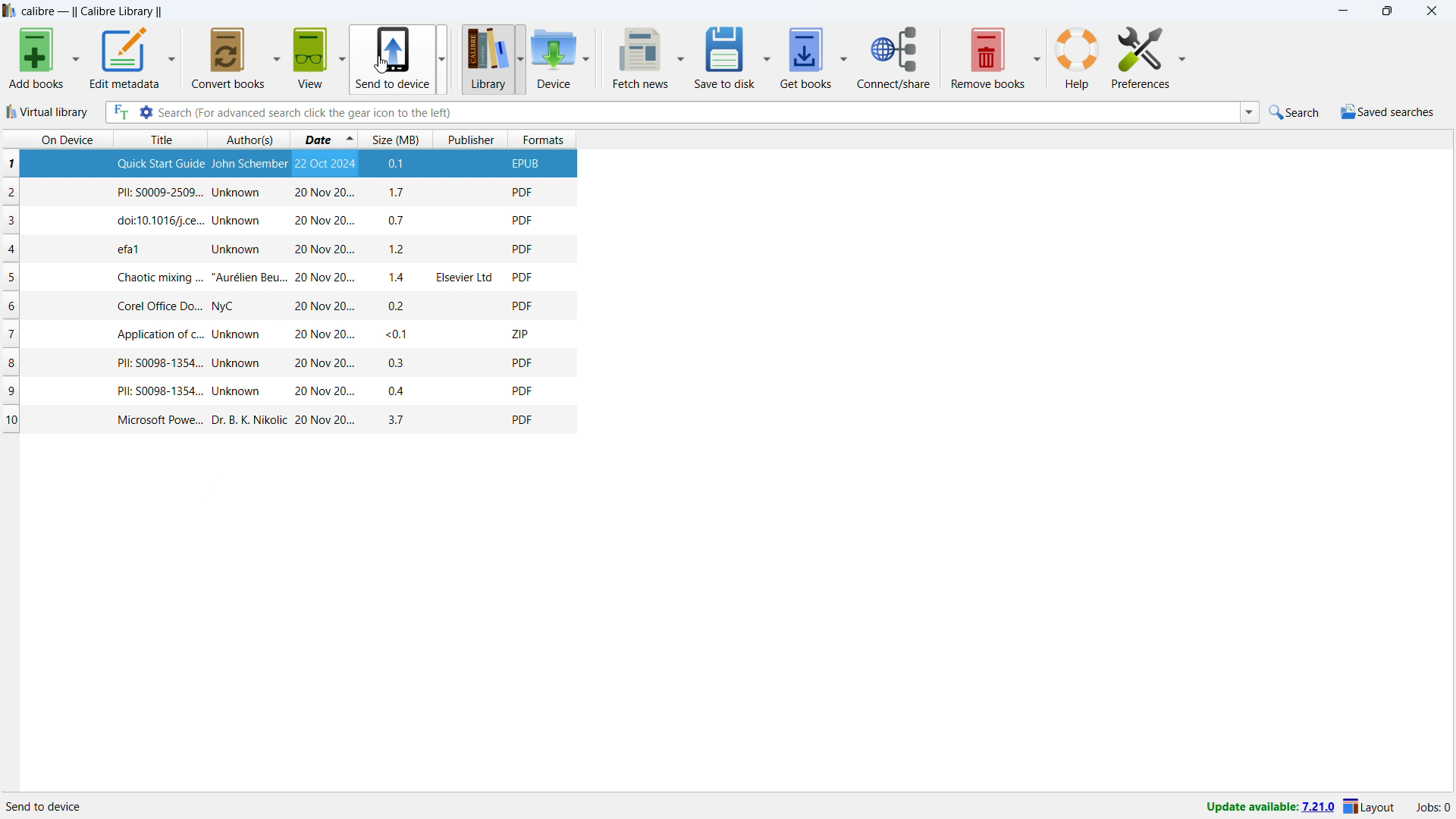  Describe the element at coordinates (642, 57) in the screenshot. I see `` at that location.